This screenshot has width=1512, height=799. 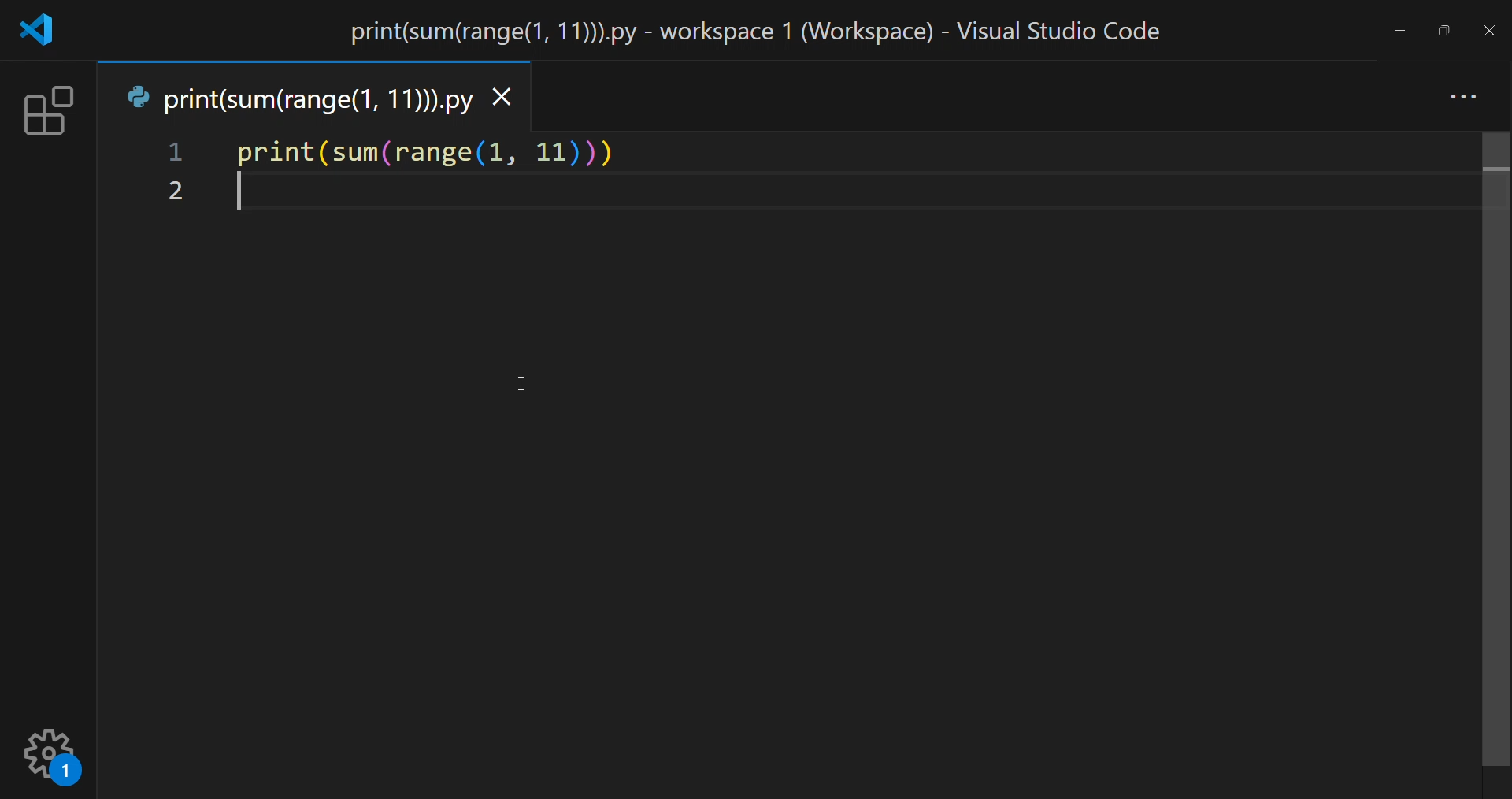 I want to click on close tab, so click(x=503, y=98).